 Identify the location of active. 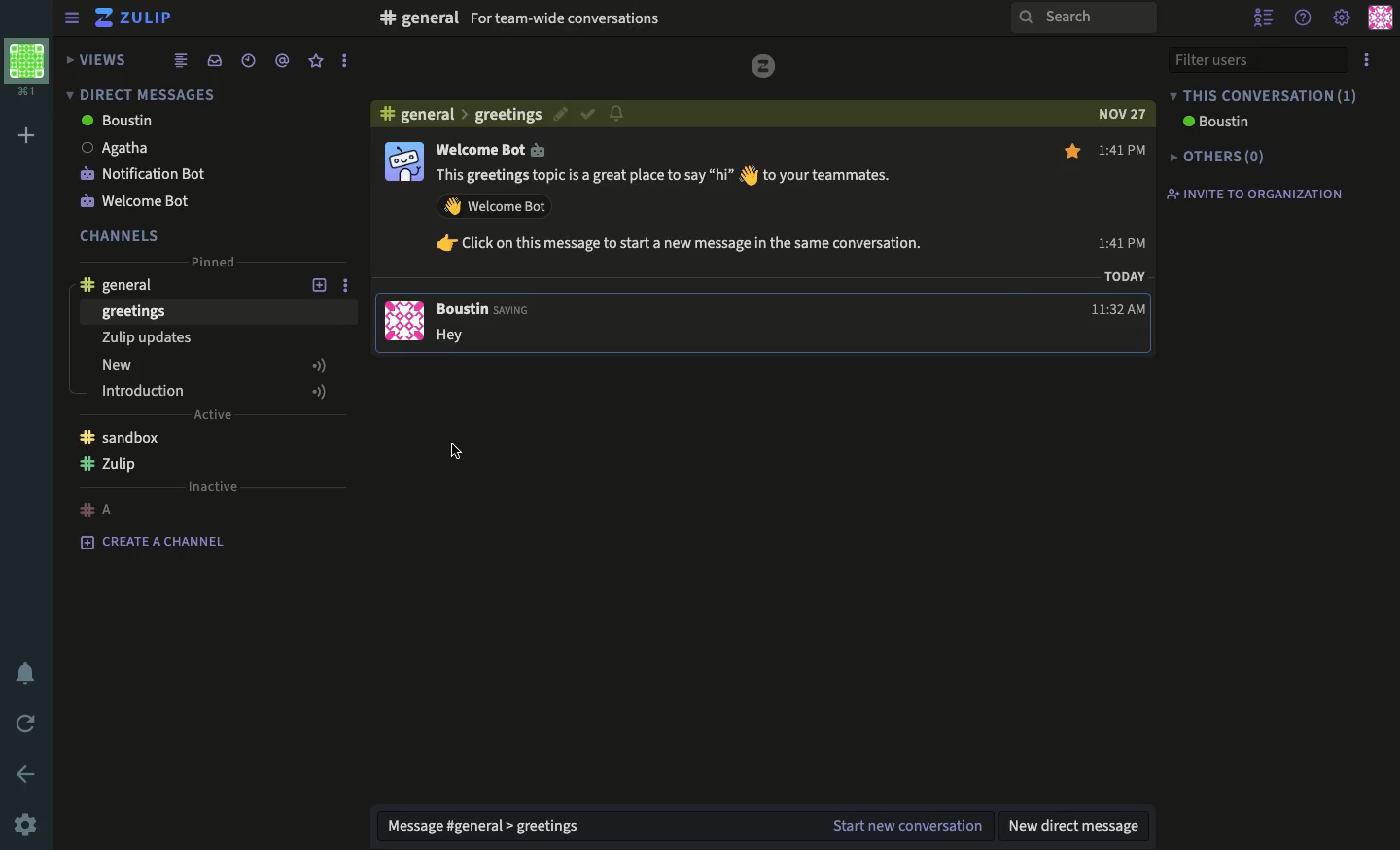
(212, 416).